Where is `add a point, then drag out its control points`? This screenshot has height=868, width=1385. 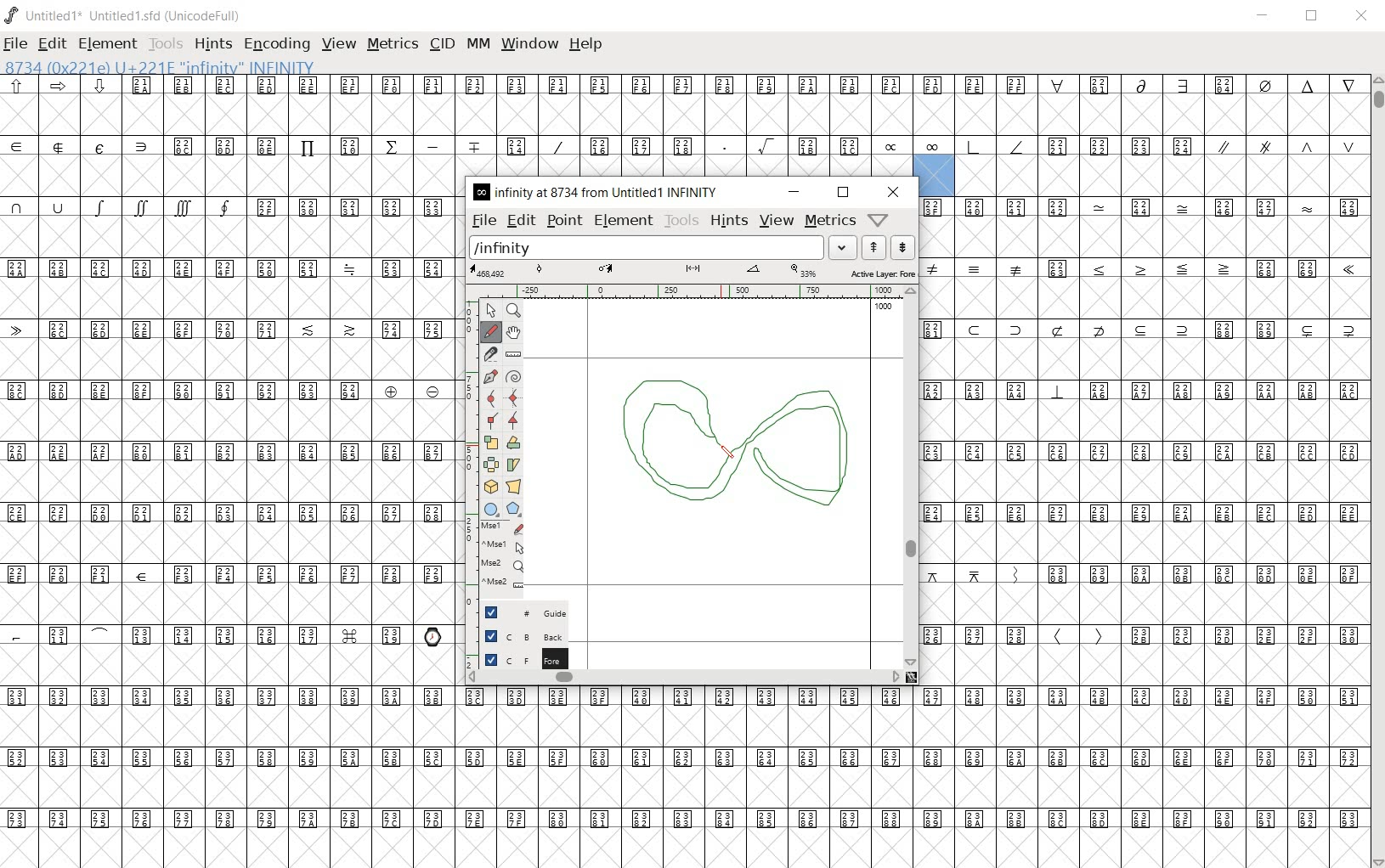
add a point, then drag out its control points is located at coordinates (490, 376).